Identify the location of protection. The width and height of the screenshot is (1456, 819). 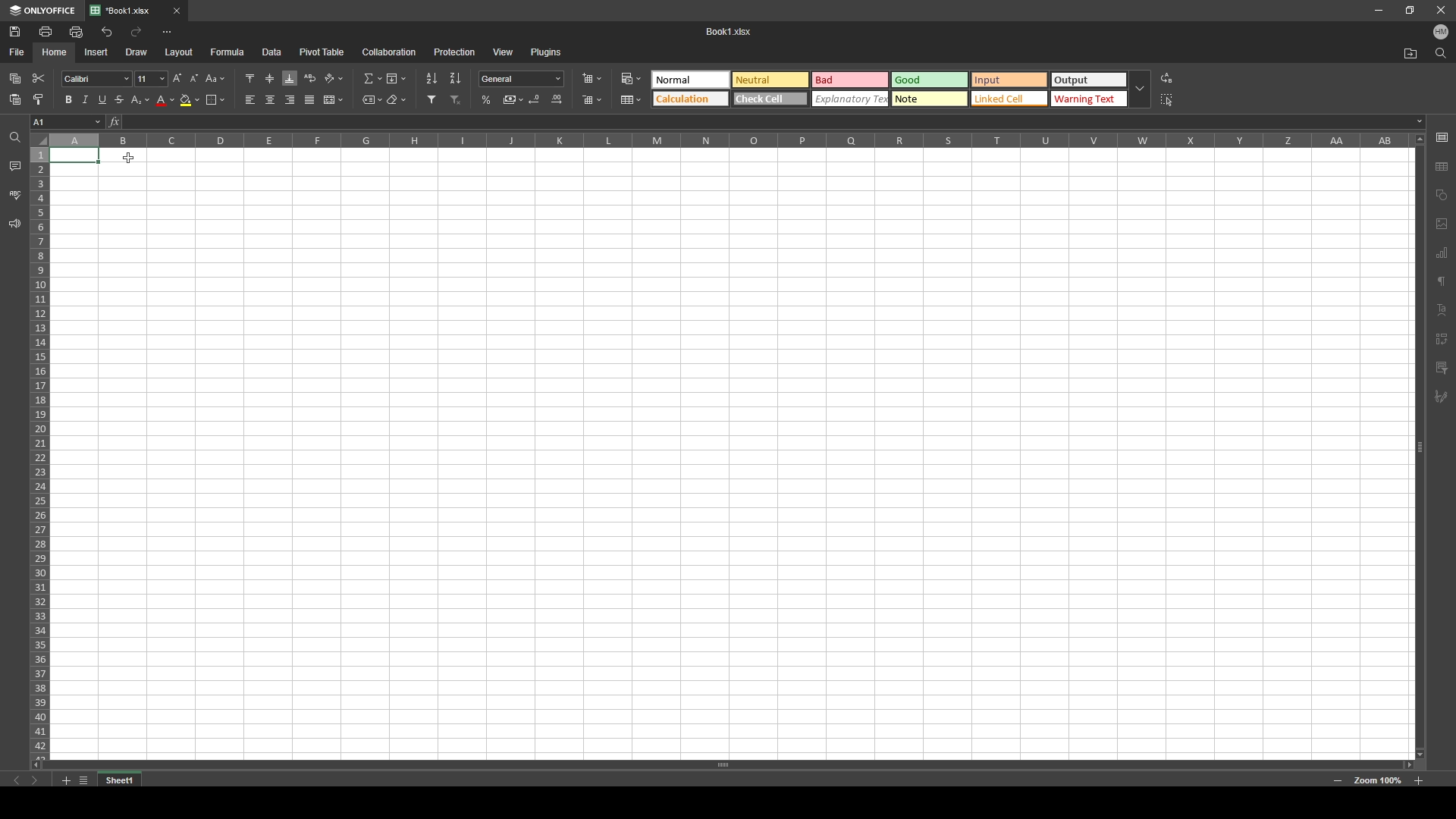
(455, 52).